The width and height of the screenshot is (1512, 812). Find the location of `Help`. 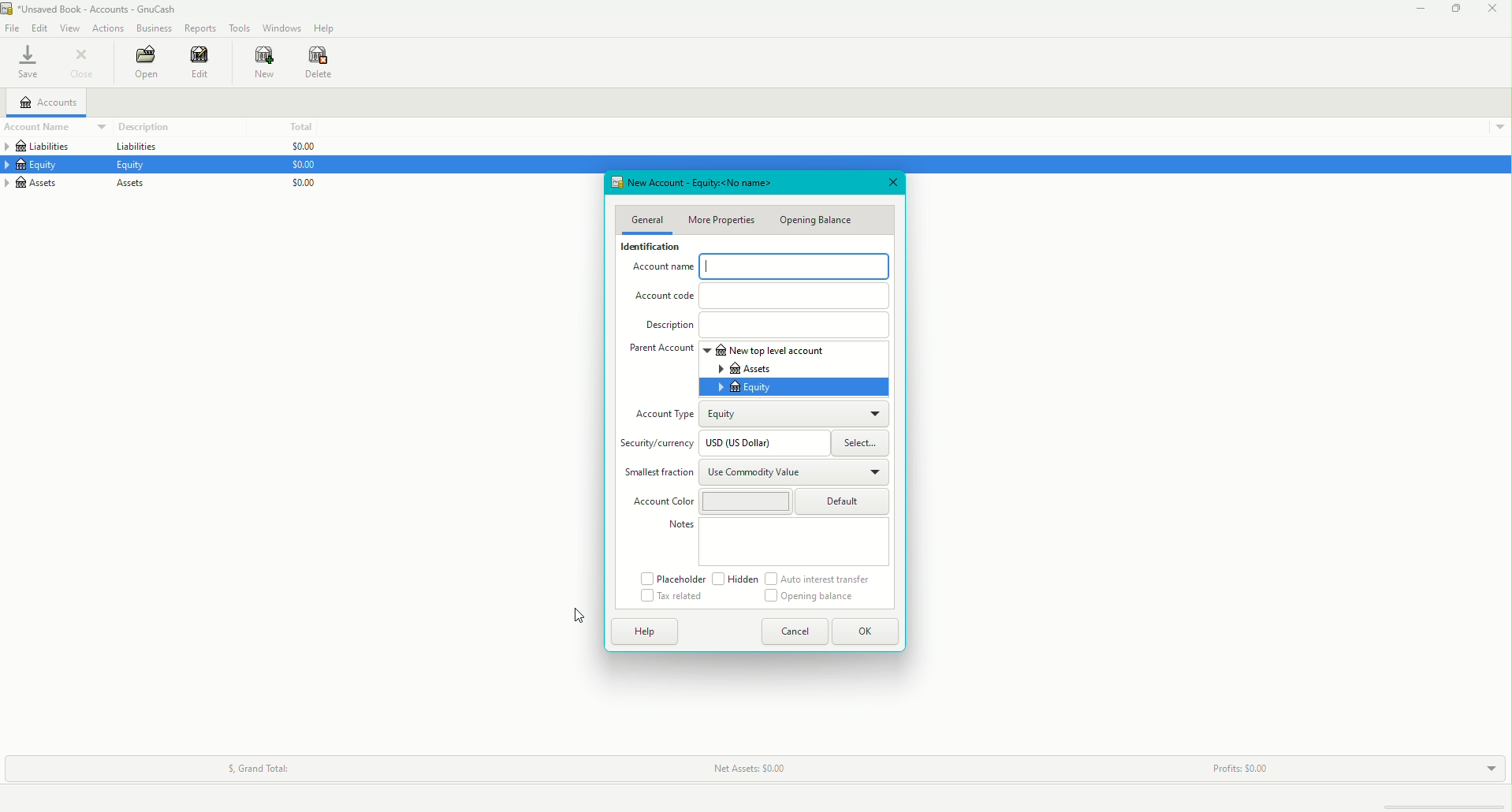

Help is located at coordinates (322, 28).